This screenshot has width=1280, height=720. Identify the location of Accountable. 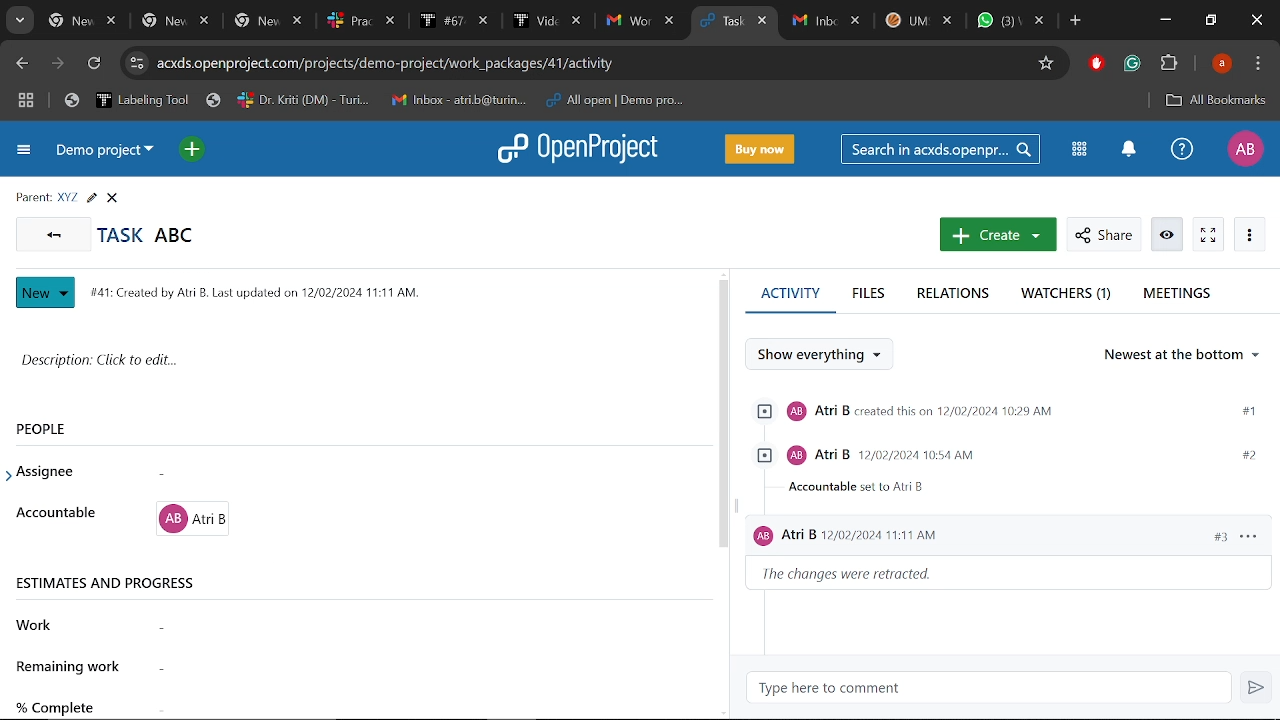
(399, 519).